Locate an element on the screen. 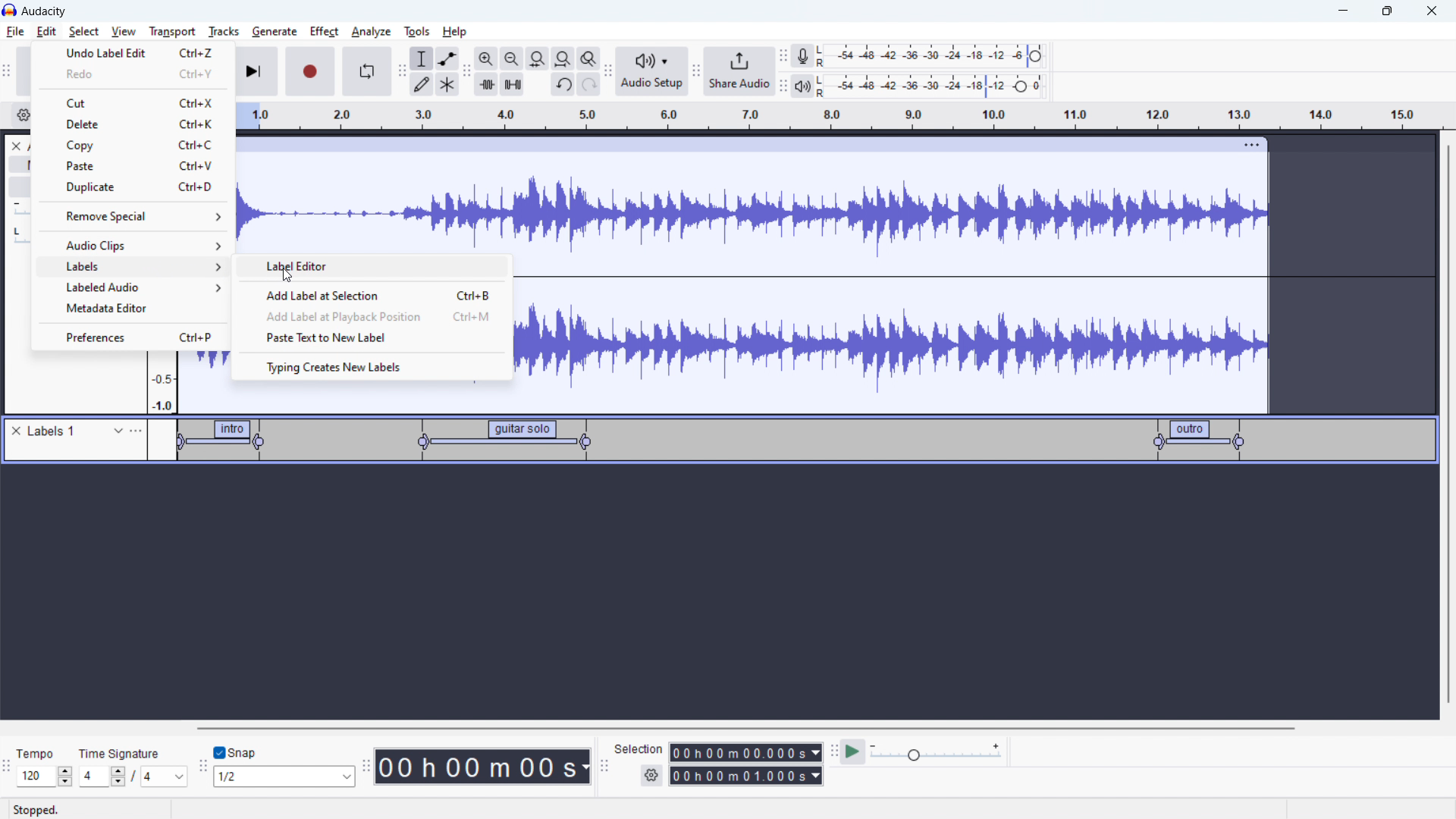  Labels is located at coordinates (141, 267).